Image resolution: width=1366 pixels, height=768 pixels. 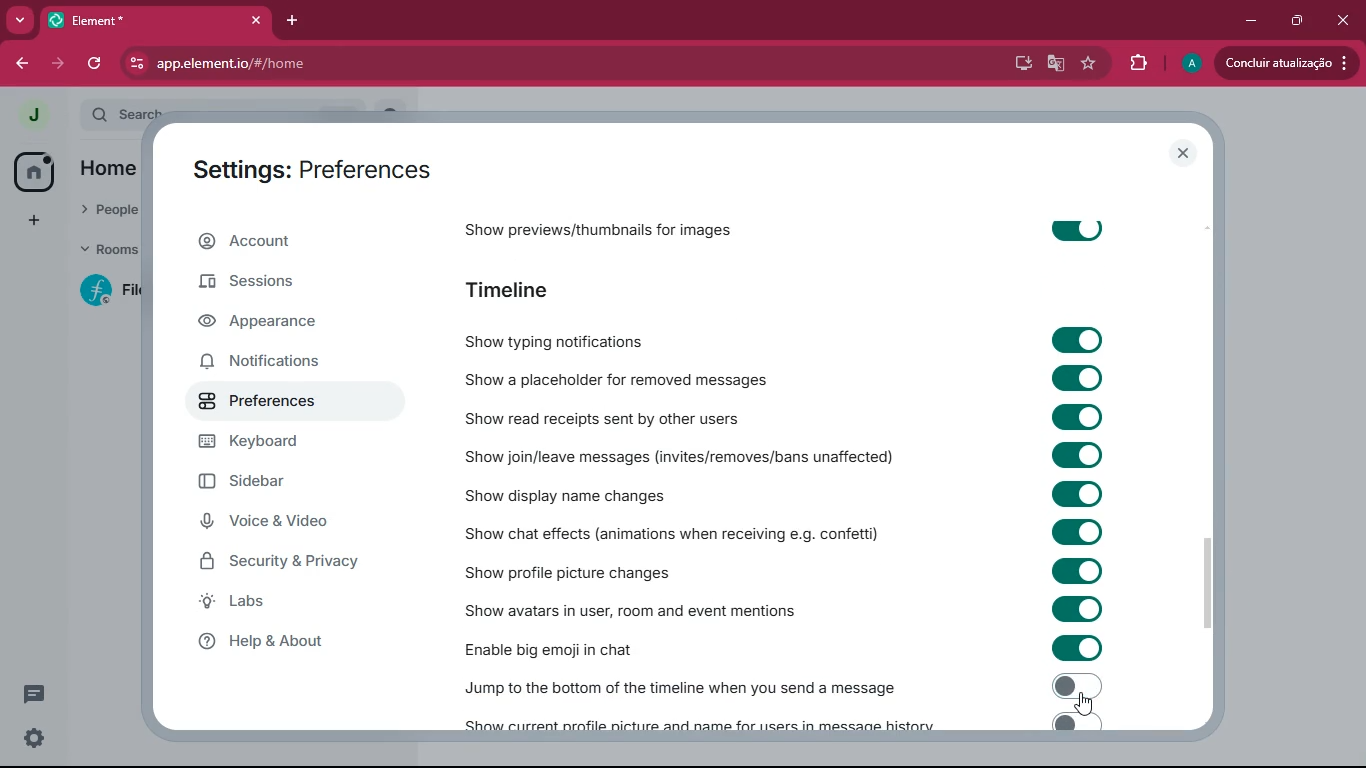 What do you see at coordinates (275, 481) in the screenshot?
I see `sidebar` at bounding box center [275, 481].